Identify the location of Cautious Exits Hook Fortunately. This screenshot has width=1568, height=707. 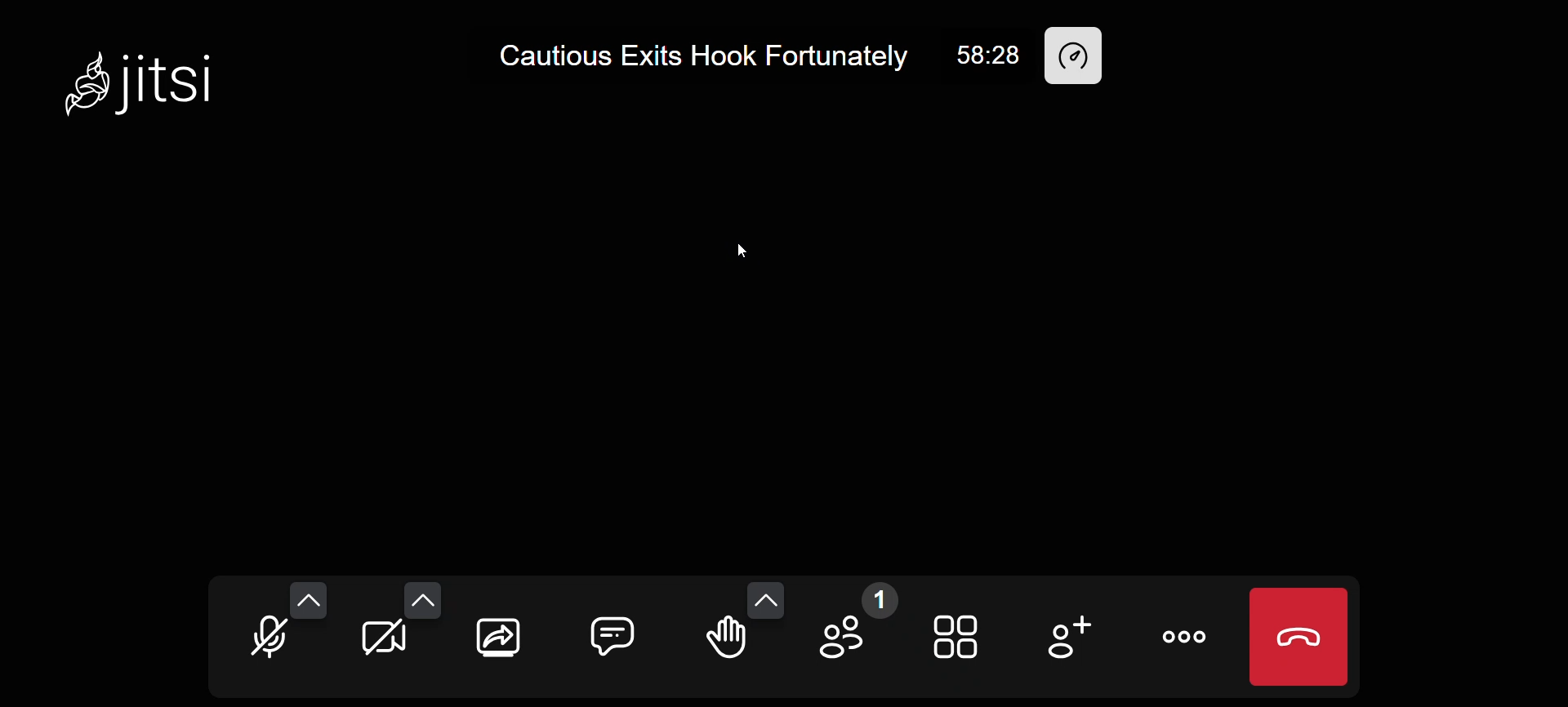
(707, 56).